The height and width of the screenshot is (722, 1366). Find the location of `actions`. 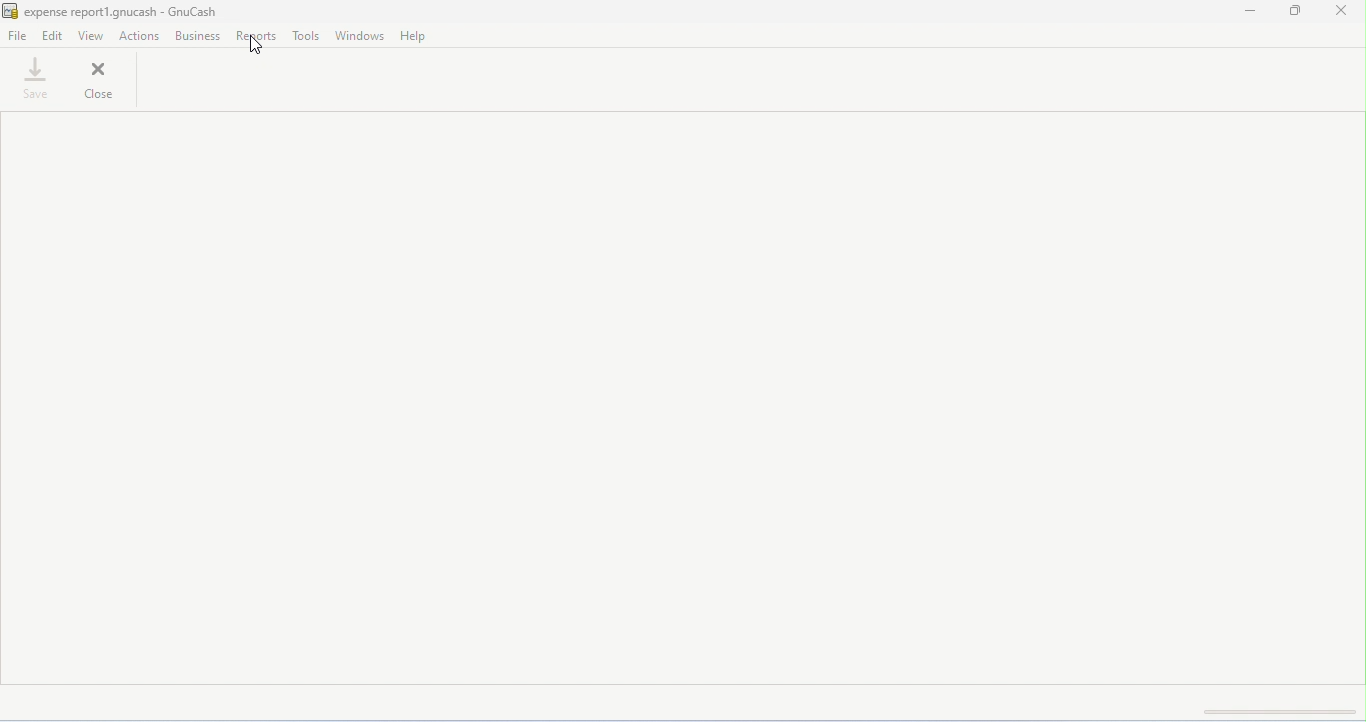

actions is located at coordinates (141, 36).